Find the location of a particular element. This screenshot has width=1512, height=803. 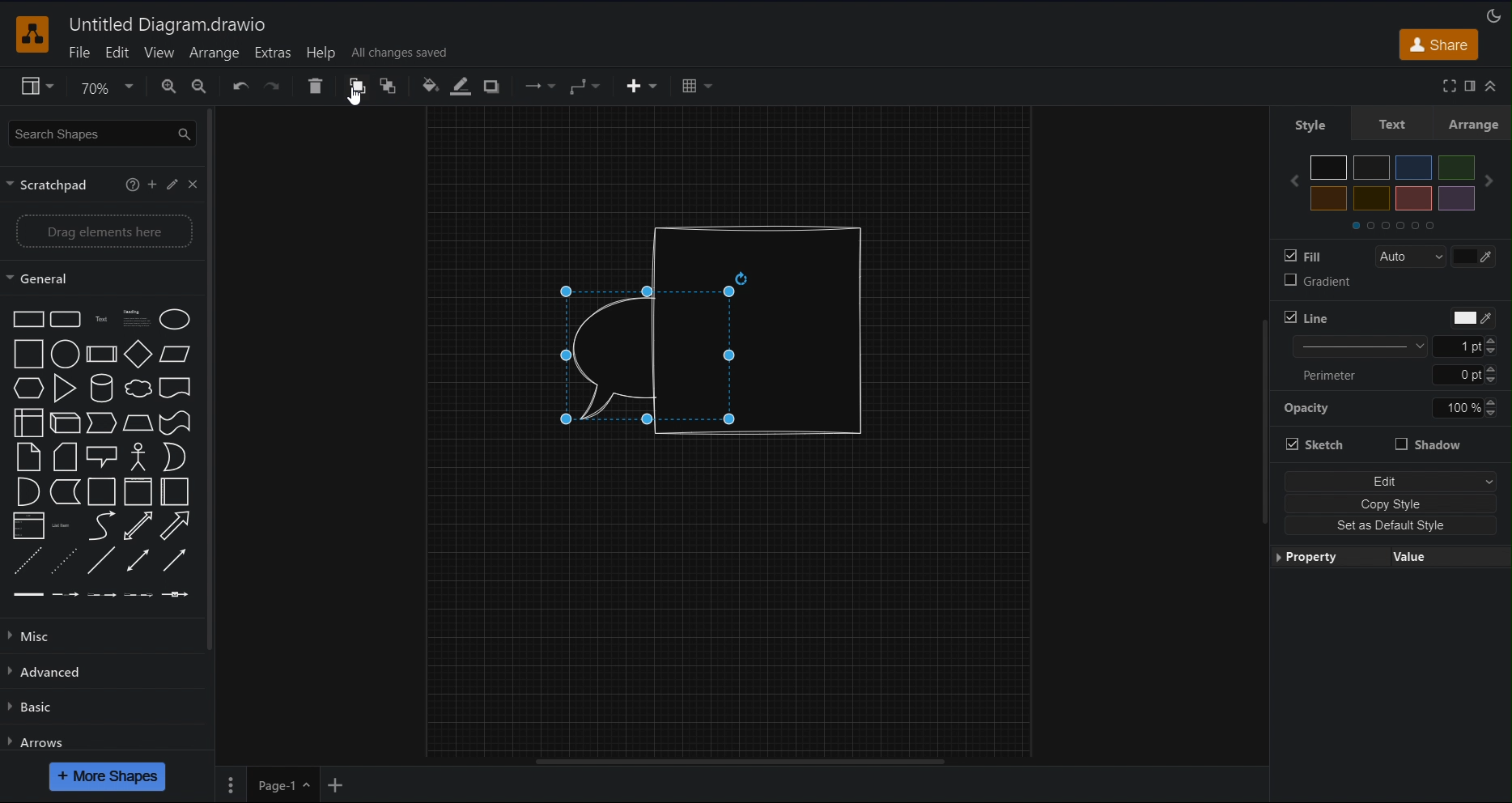

Pages is located at coordinates (231, 784).